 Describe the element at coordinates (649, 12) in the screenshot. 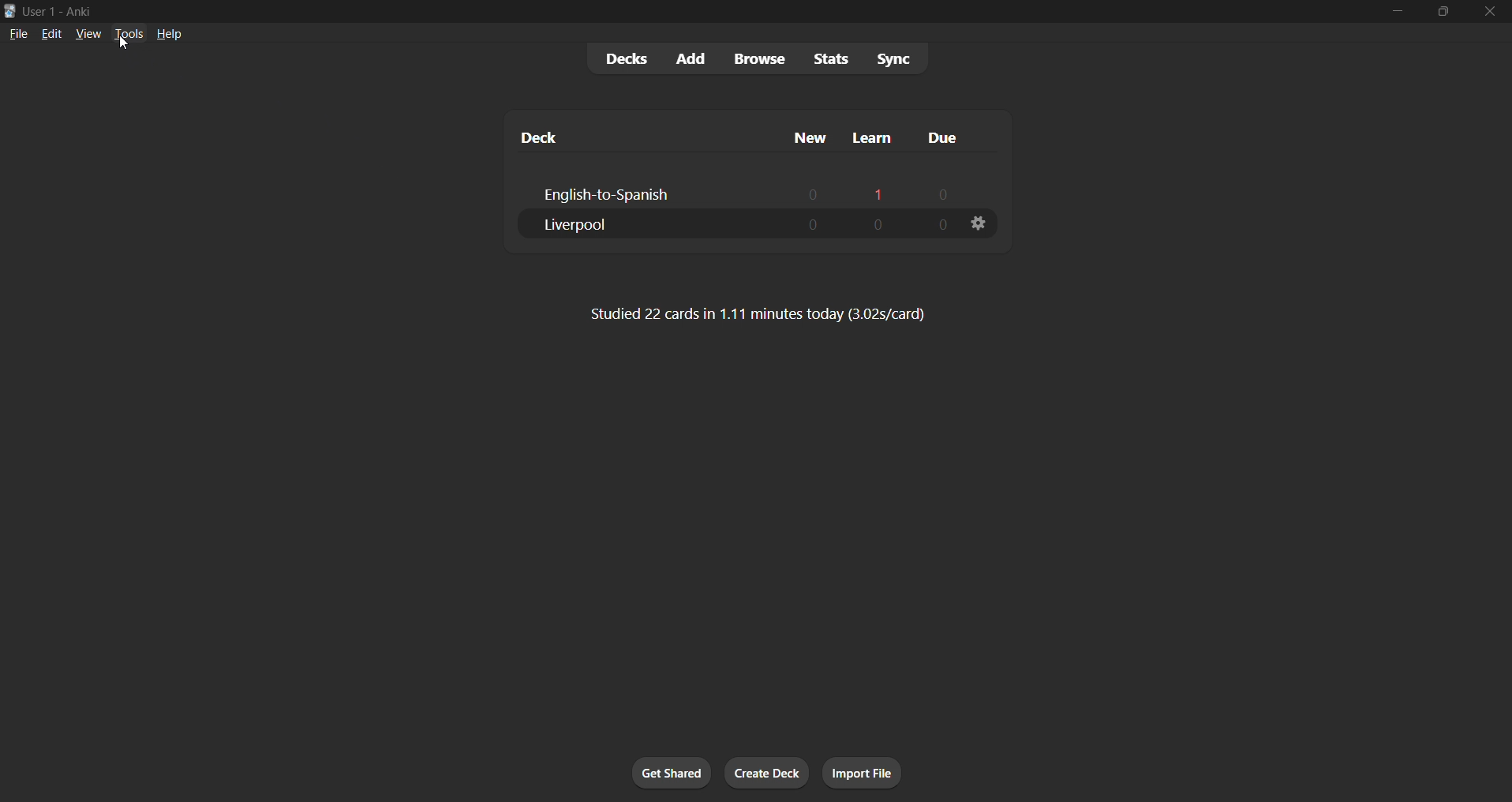

I see `title bar` at that location.